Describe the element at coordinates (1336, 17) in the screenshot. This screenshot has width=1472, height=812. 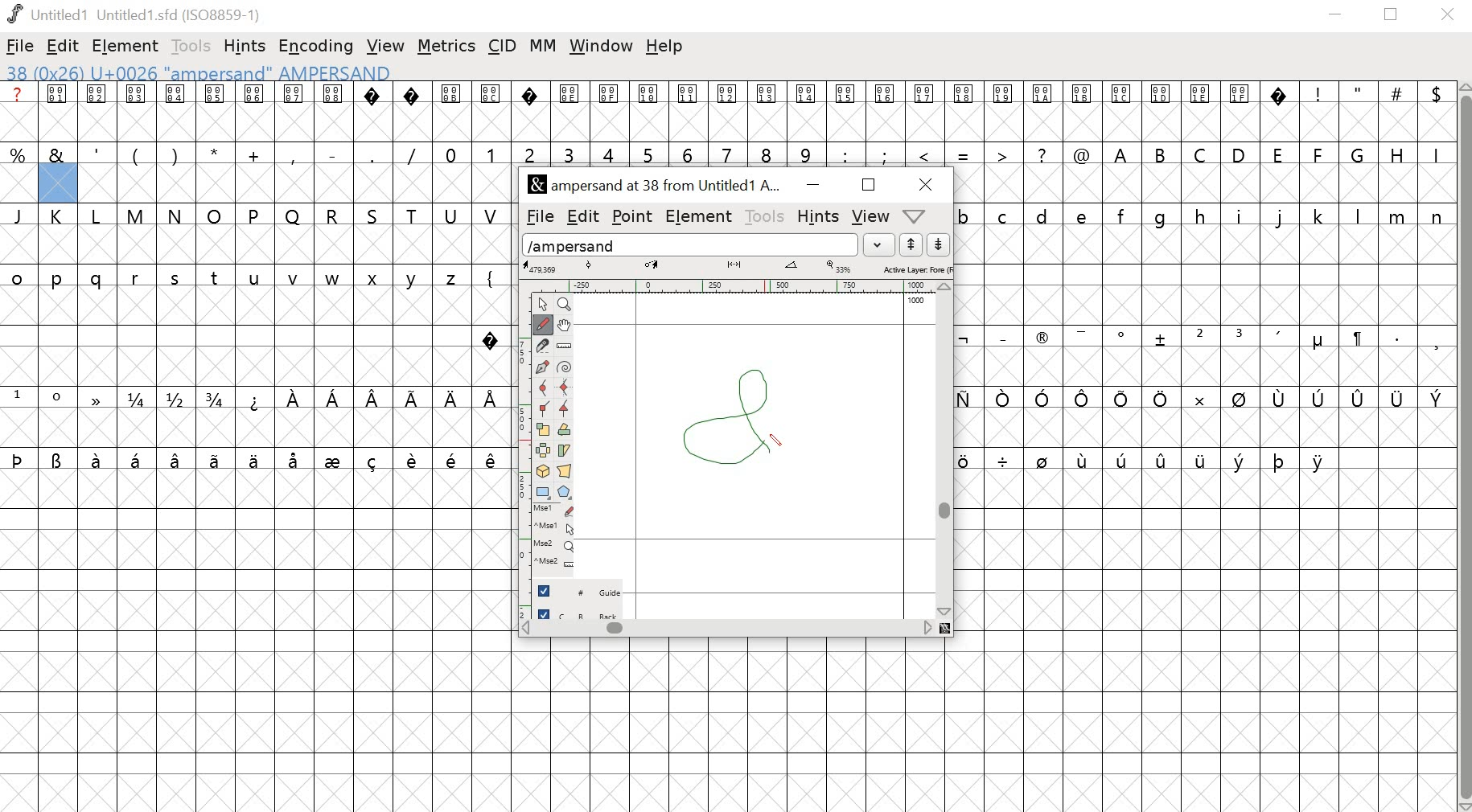
I see `minimize` at that location.